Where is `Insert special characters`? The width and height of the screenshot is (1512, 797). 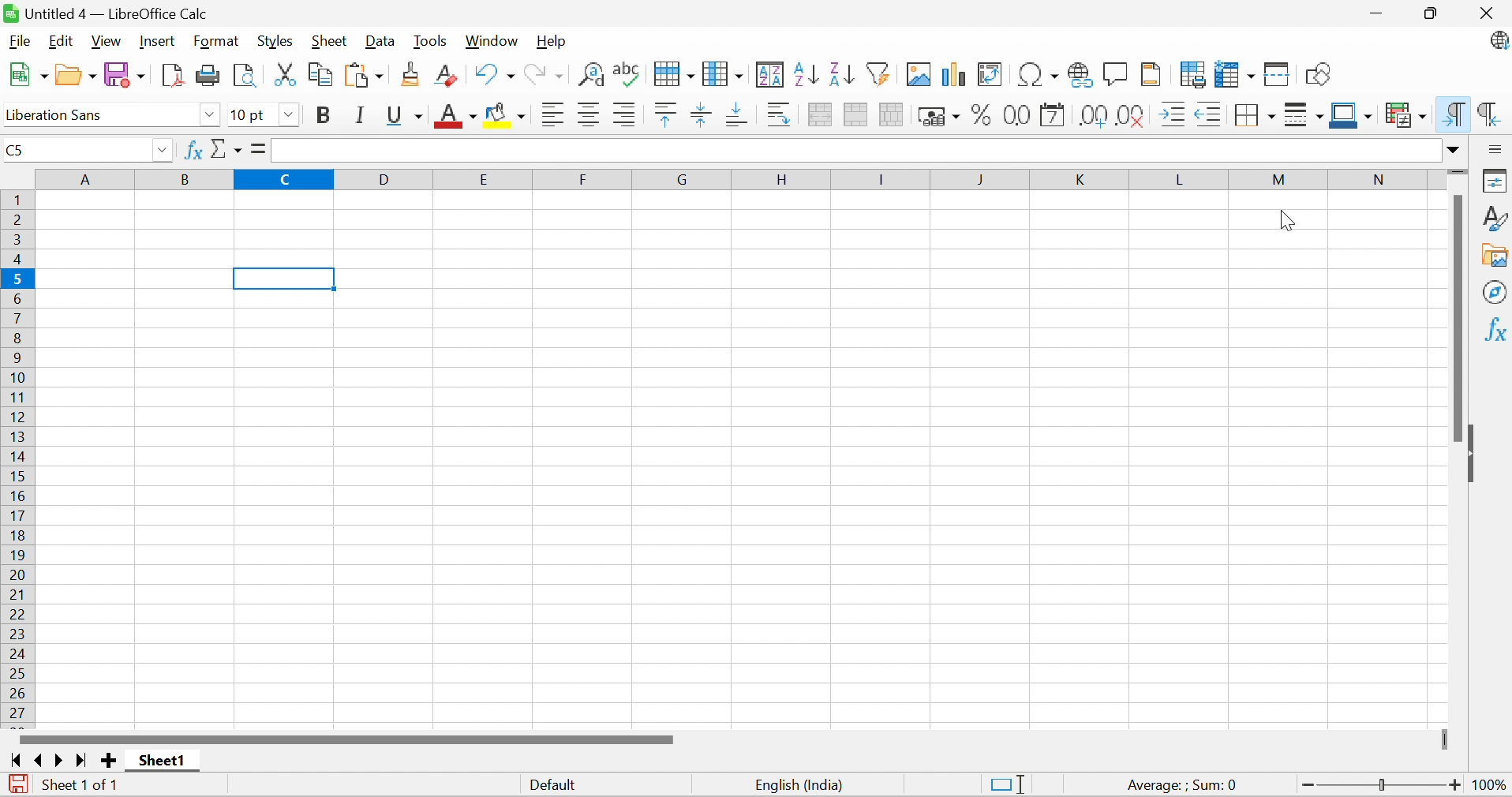 Insert special characters is located at coordinates (1039, 74).